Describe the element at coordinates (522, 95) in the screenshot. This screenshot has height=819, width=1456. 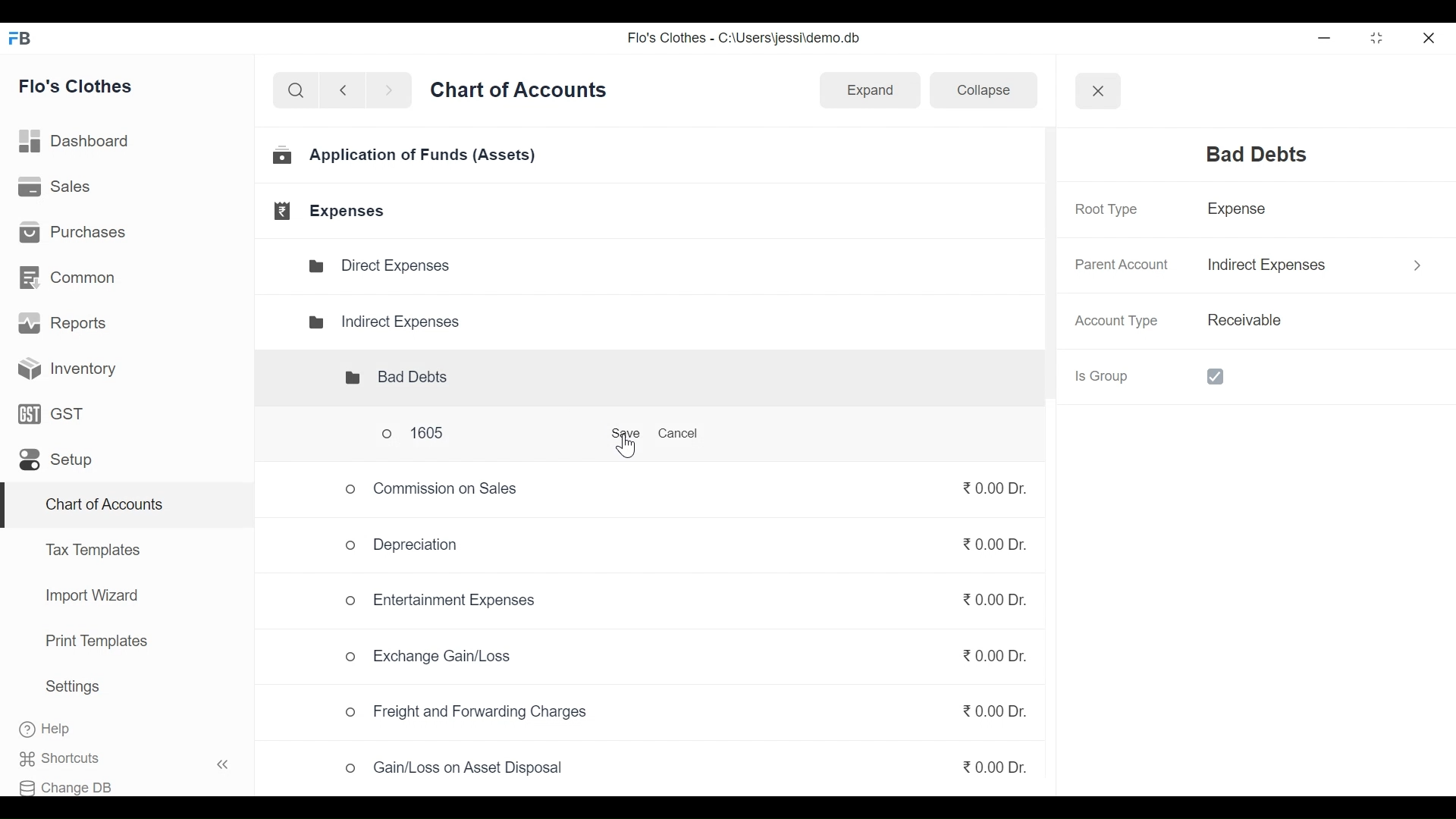
I see `Chart of Accounts` at that location.